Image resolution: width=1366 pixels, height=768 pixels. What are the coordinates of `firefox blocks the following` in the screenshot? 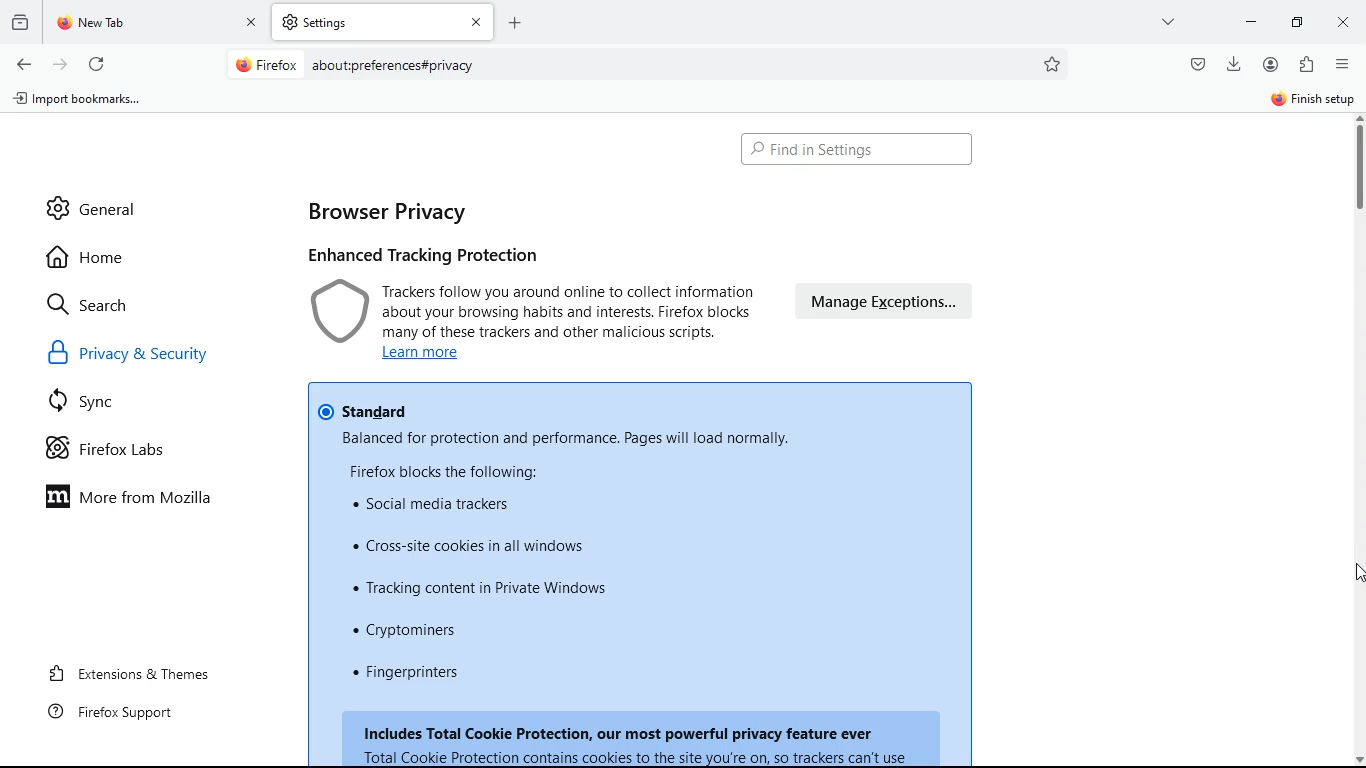 It's located at (448, 472).